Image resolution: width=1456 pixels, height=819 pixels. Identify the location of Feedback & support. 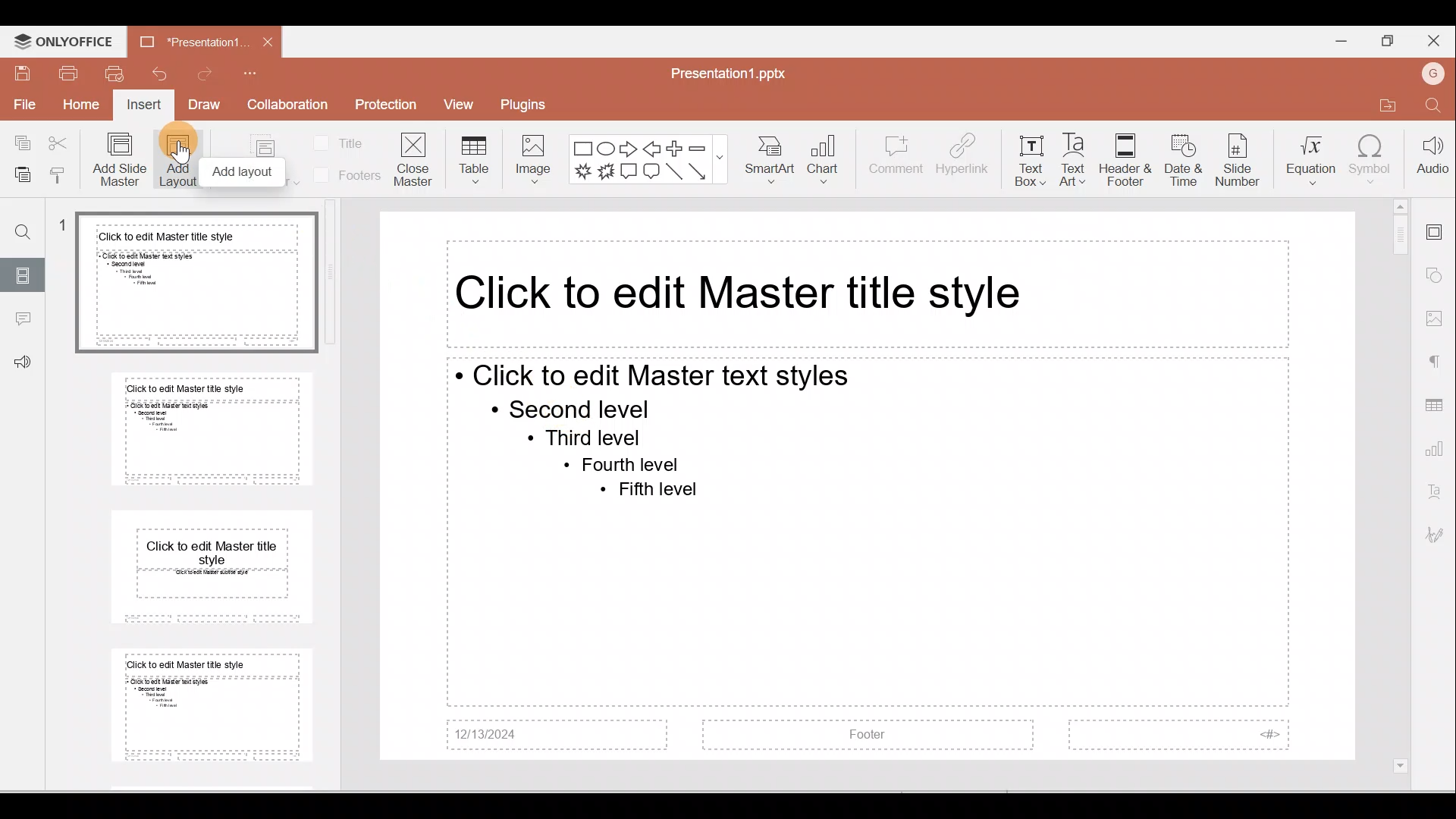
(24, 362).